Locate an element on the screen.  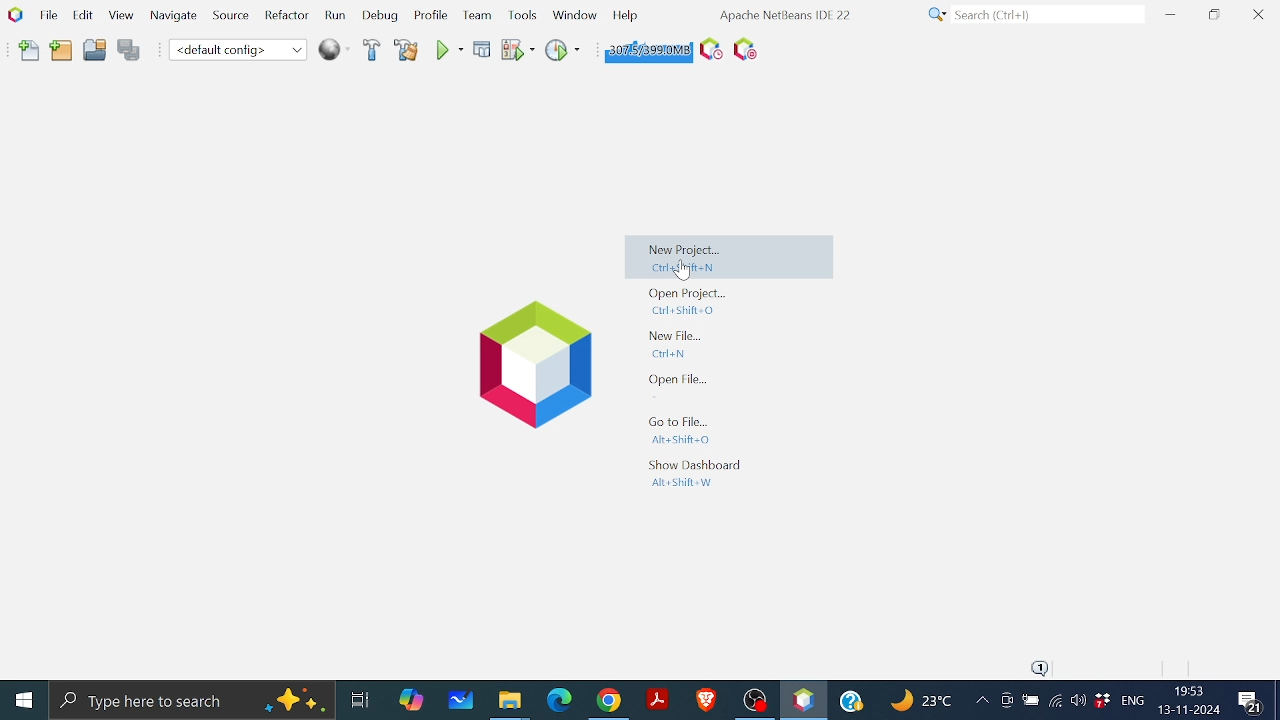
NetBeans logo is located at coordinates (14, 14).